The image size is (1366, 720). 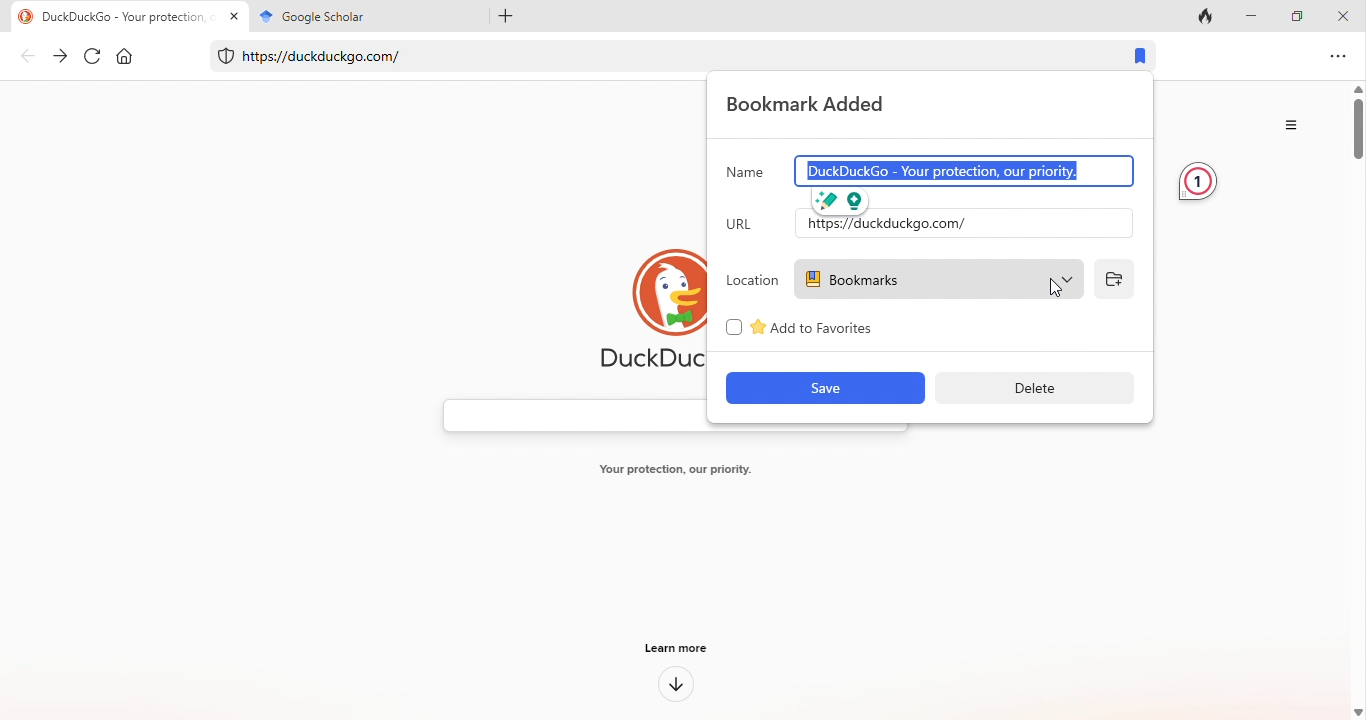 I want to click on move up , so click(x=1357, y=89).